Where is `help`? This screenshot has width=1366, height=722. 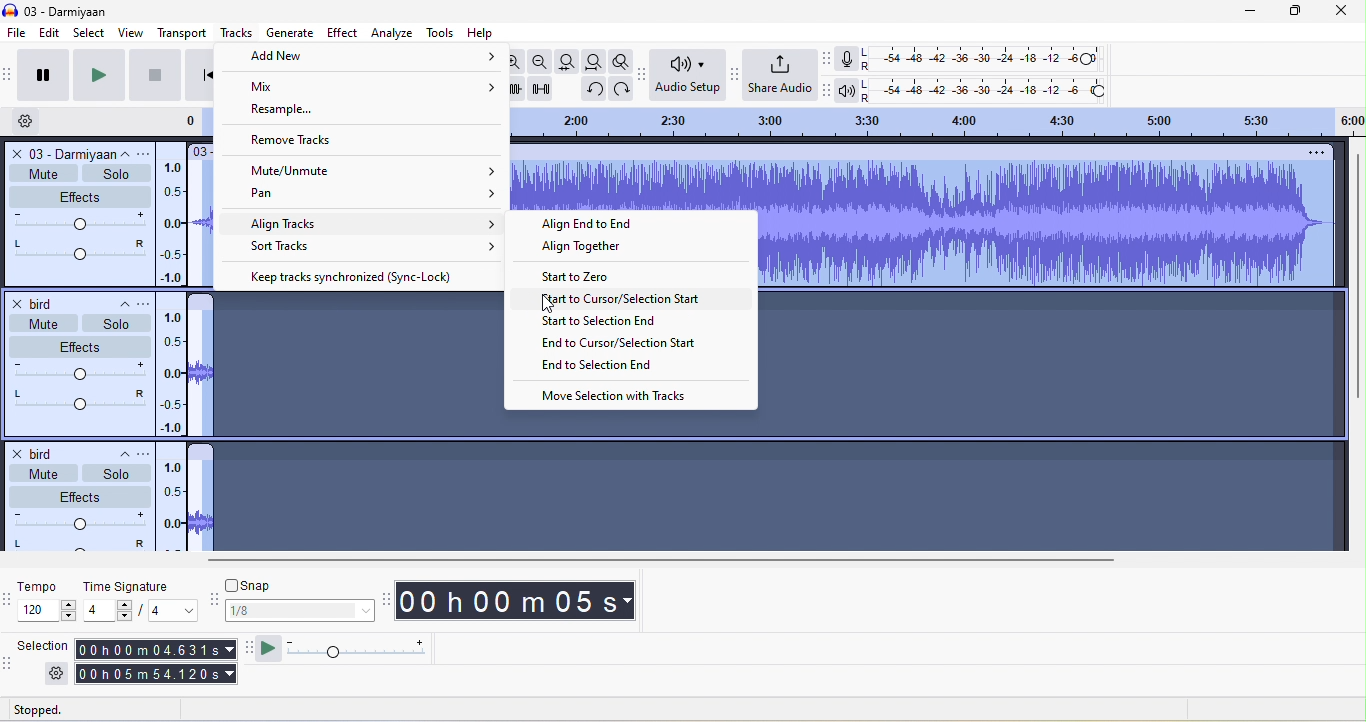
help is located at coordinates (486, 31).